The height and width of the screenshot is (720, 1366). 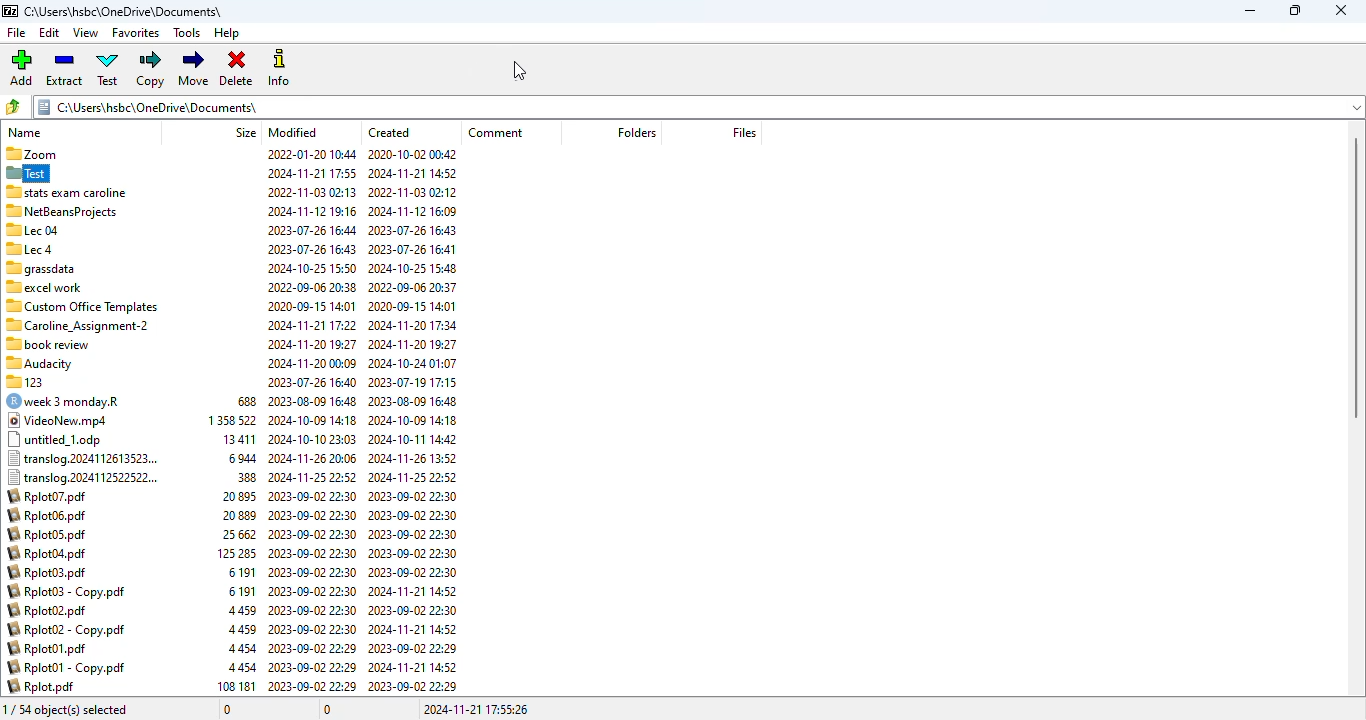 I want to click on 2023-07-26 16:43, so click(x=312, y=249).